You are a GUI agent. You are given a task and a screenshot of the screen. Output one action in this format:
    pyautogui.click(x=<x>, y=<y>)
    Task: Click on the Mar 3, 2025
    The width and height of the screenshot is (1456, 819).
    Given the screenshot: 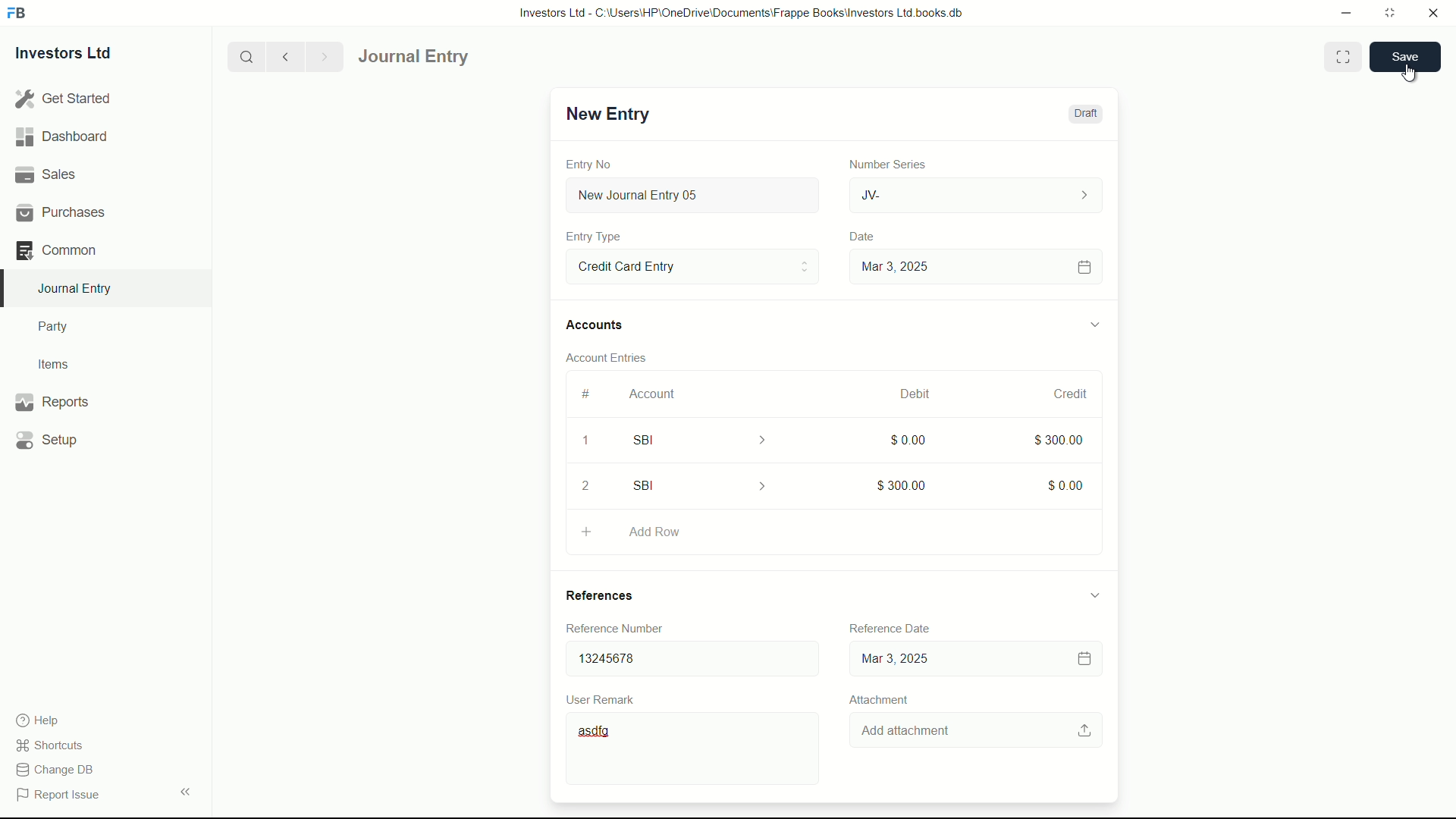 What is the action you would take?
    pyautogui.click(x=974, y=266)
    